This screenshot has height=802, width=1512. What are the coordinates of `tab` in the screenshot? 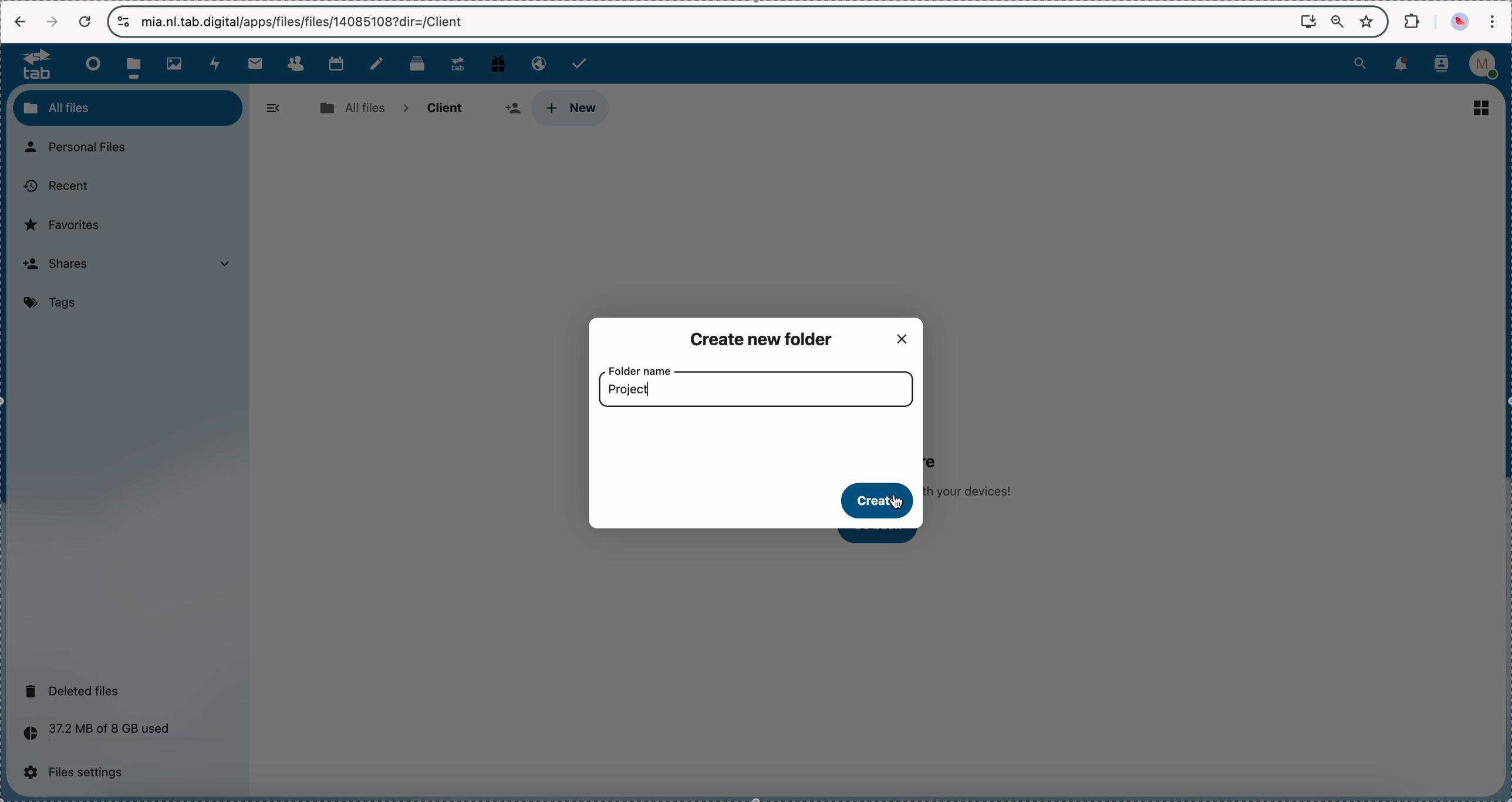 It's located at (31, 63).